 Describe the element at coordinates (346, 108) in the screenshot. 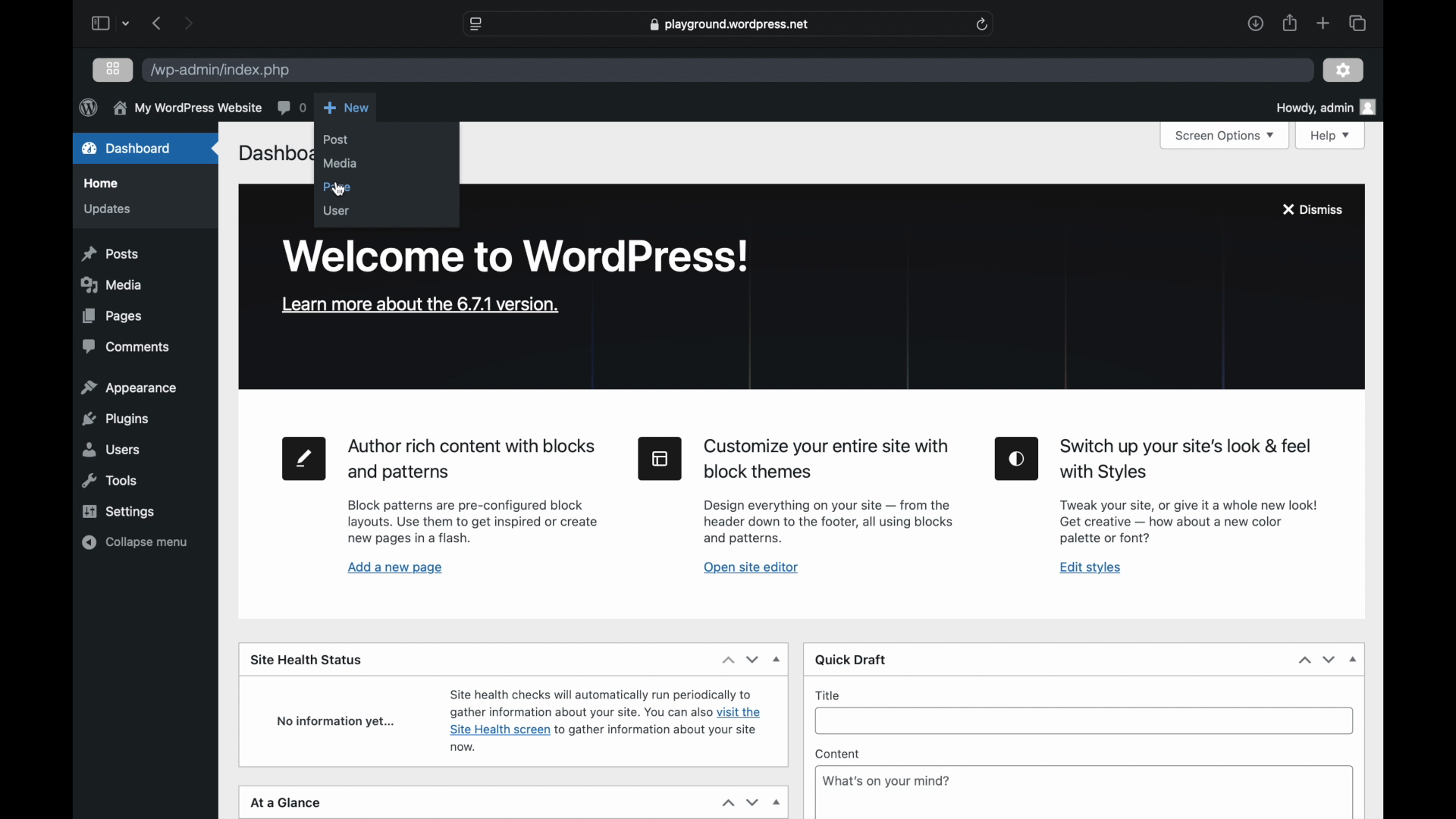

I see `new` at that location.